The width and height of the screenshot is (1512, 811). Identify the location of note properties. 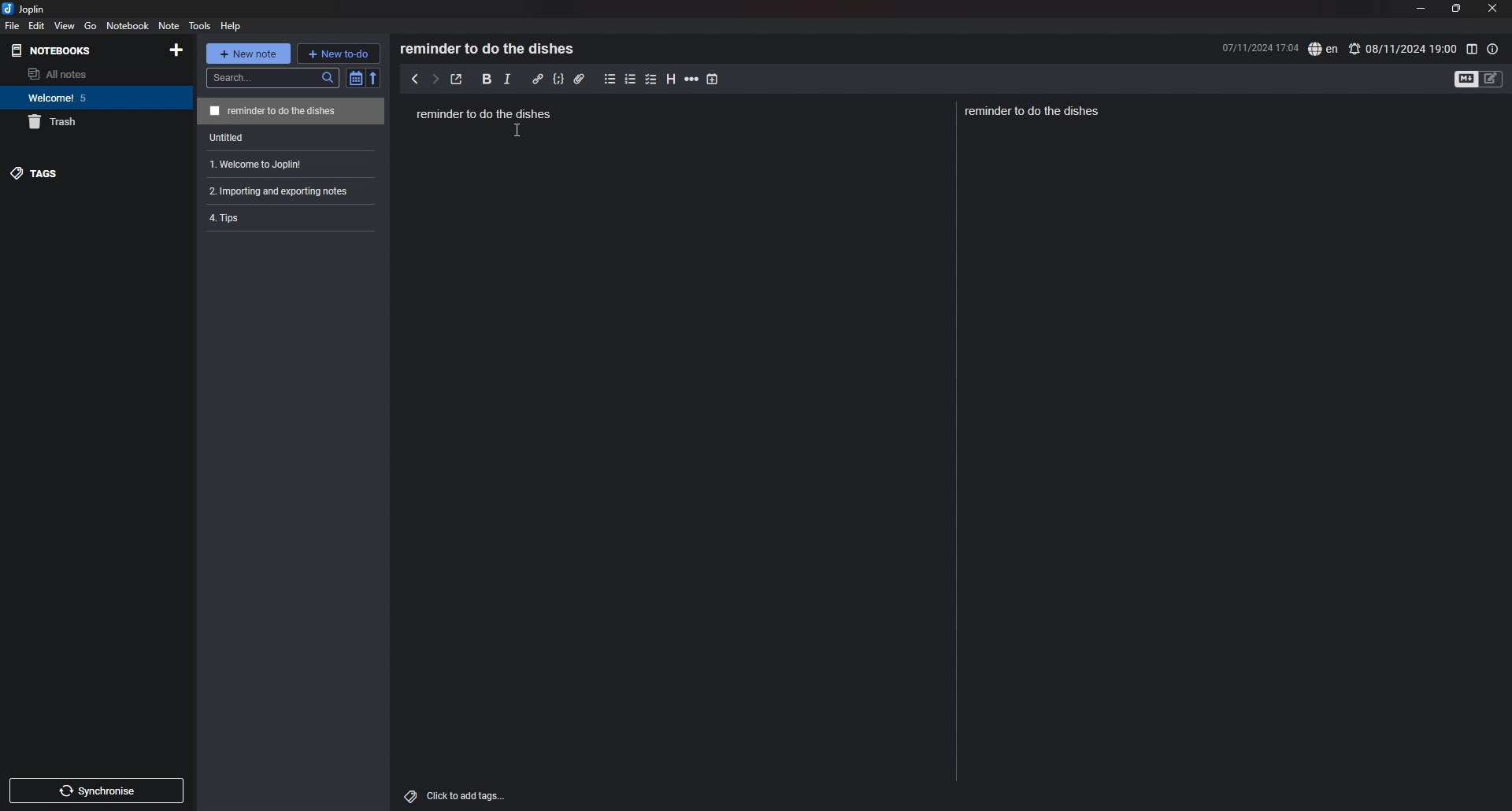
(1494, 50).